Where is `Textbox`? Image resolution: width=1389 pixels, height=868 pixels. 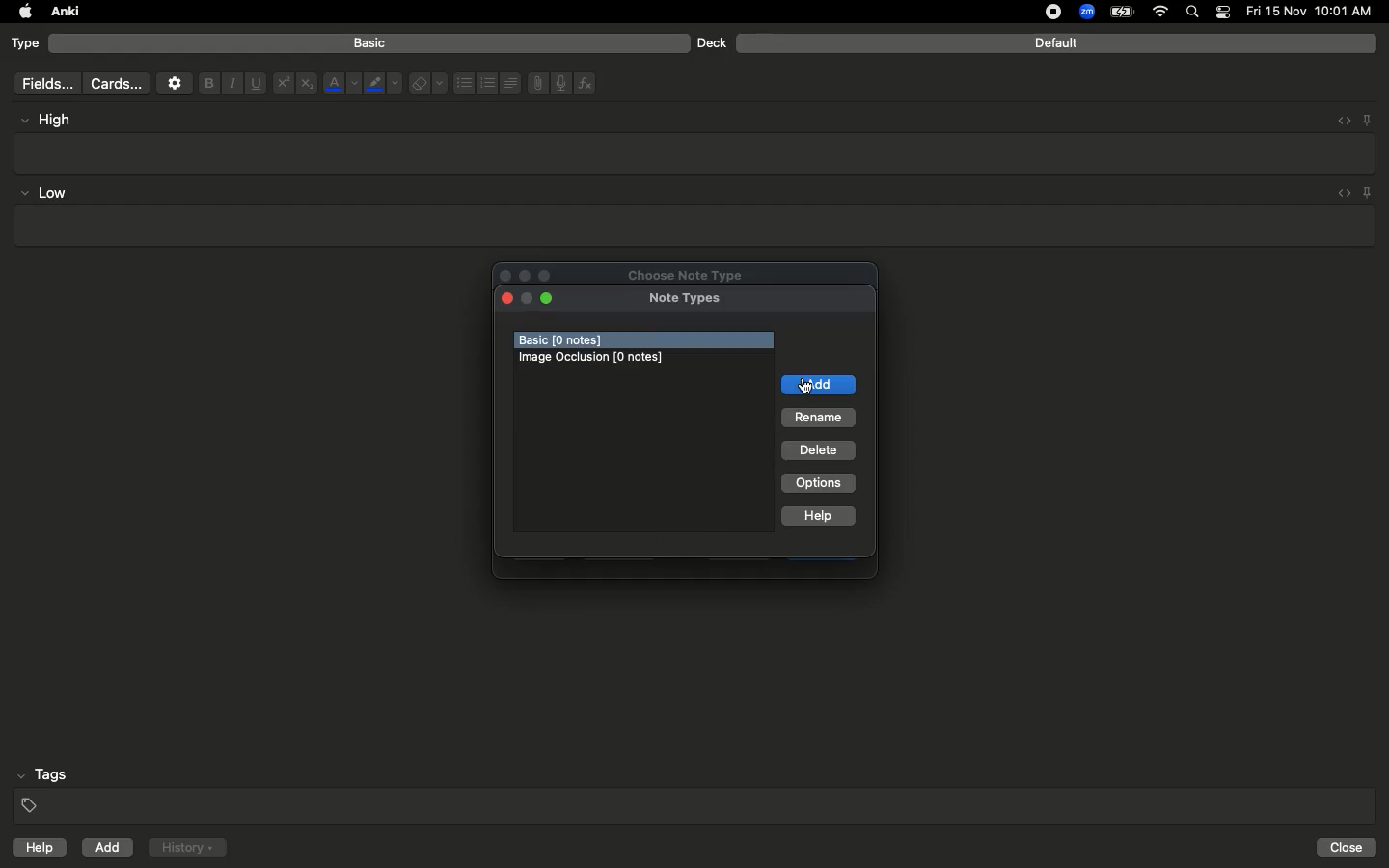 Textbox is located at coordinates (692, 227).